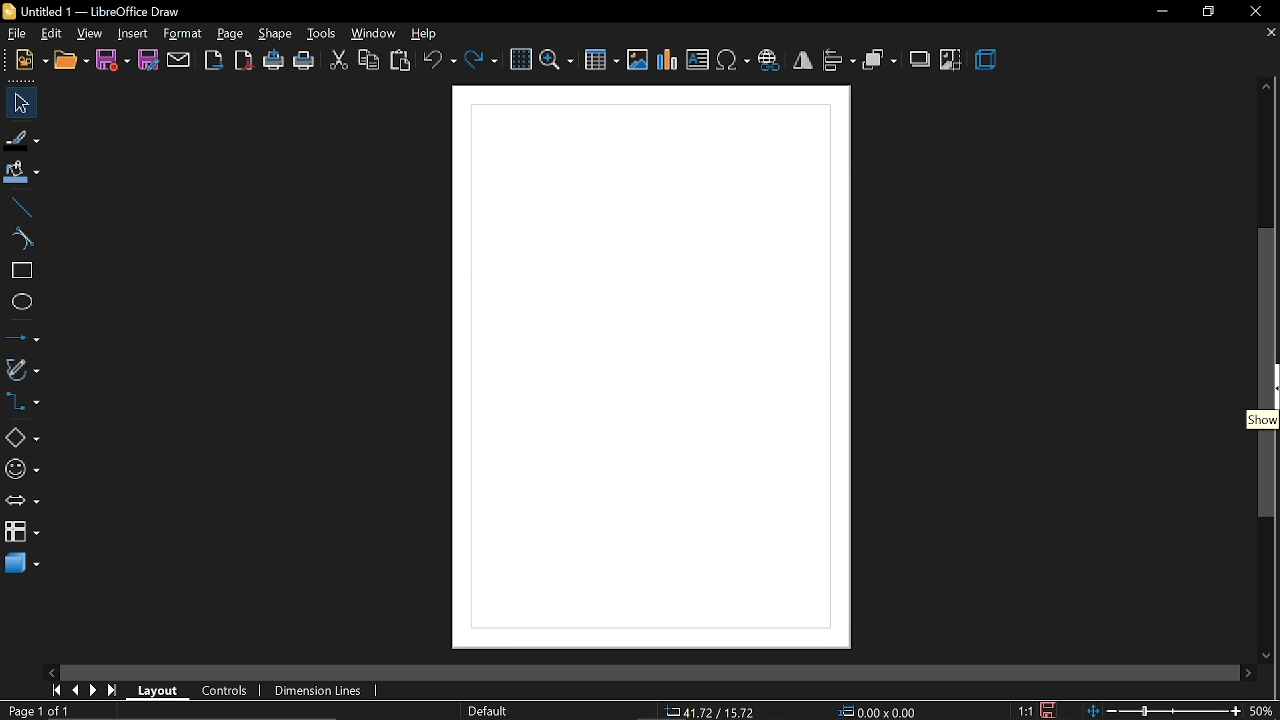 The width and height of the screenshot is (1280, 720). Describe the element at coordinates (1164, 712) in the screenshot. I see `change zoom` at that location.